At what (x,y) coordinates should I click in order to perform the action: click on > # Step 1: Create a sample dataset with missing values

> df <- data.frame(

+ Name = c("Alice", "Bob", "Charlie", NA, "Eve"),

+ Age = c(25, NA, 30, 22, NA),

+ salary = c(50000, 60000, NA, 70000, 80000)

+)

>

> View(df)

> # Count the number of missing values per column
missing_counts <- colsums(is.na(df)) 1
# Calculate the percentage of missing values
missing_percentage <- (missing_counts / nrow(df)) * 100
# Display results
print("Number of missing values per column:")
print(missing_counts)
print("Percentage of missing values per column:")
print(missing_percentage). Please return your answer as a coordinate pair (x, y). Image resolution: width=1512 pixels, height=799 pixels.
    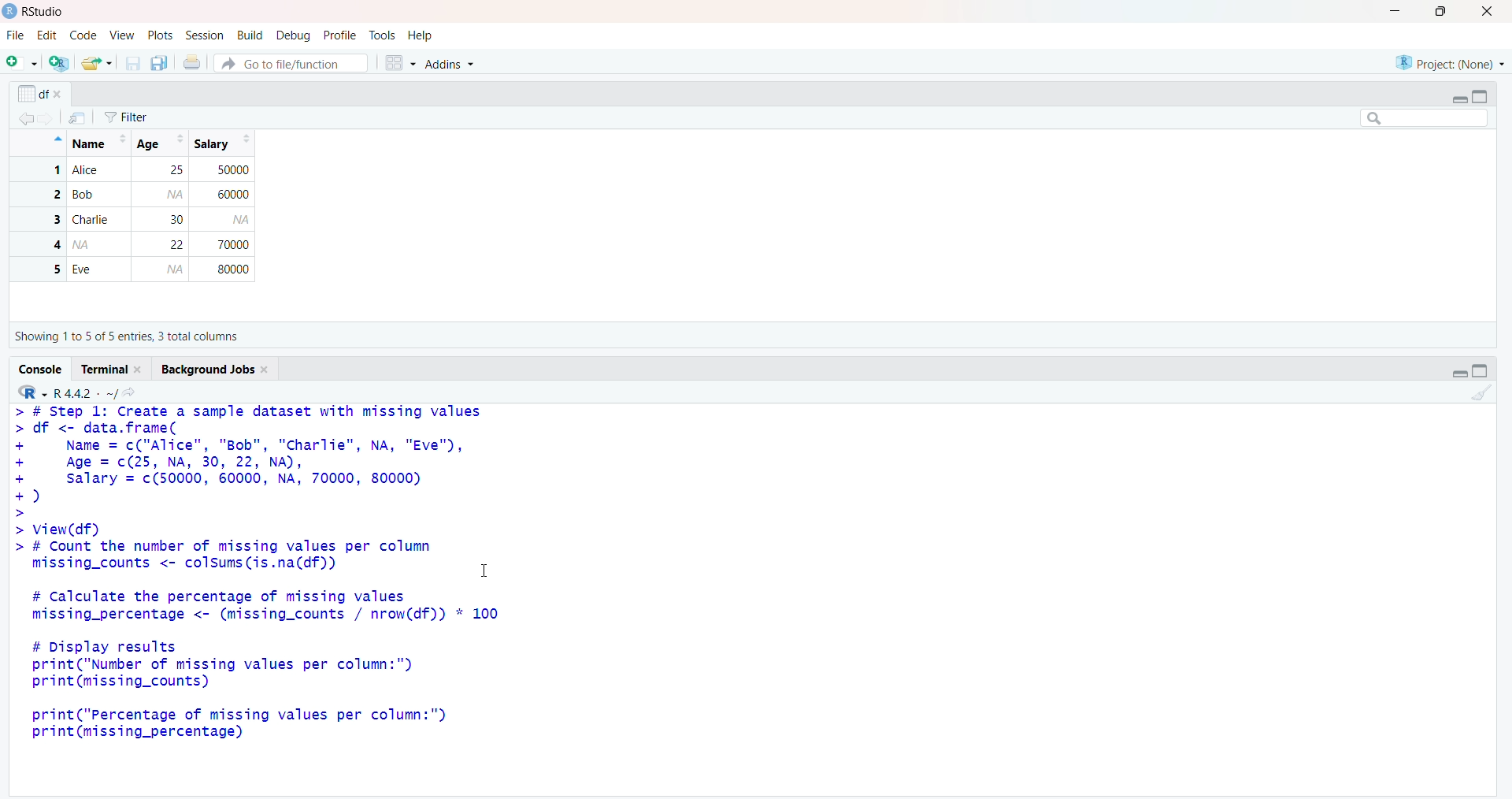
    Looking at the image, I should click on (255, 578).